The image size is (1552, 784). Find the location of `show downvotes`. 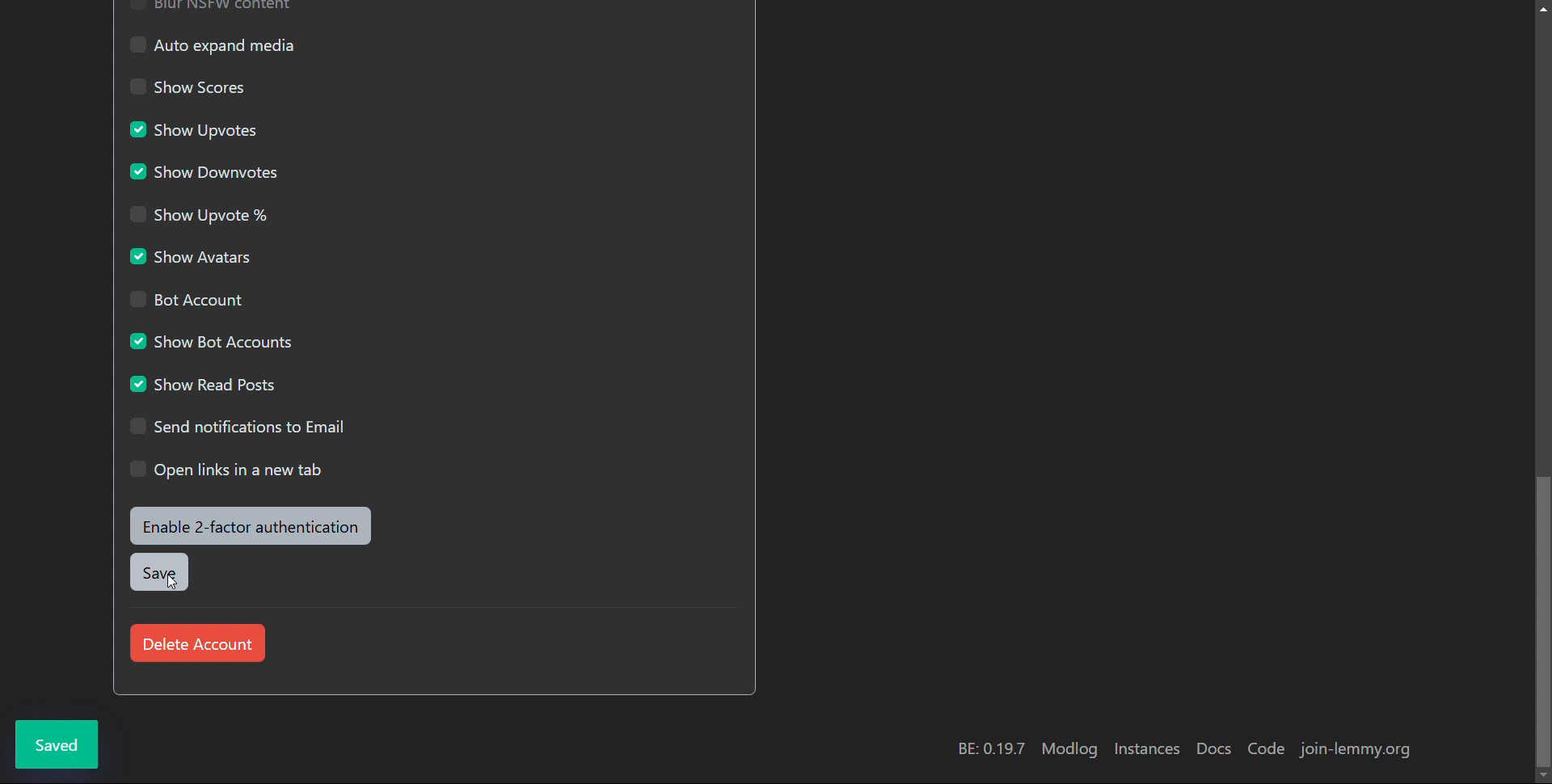

show downvotes is located at coordinates (203, 172).